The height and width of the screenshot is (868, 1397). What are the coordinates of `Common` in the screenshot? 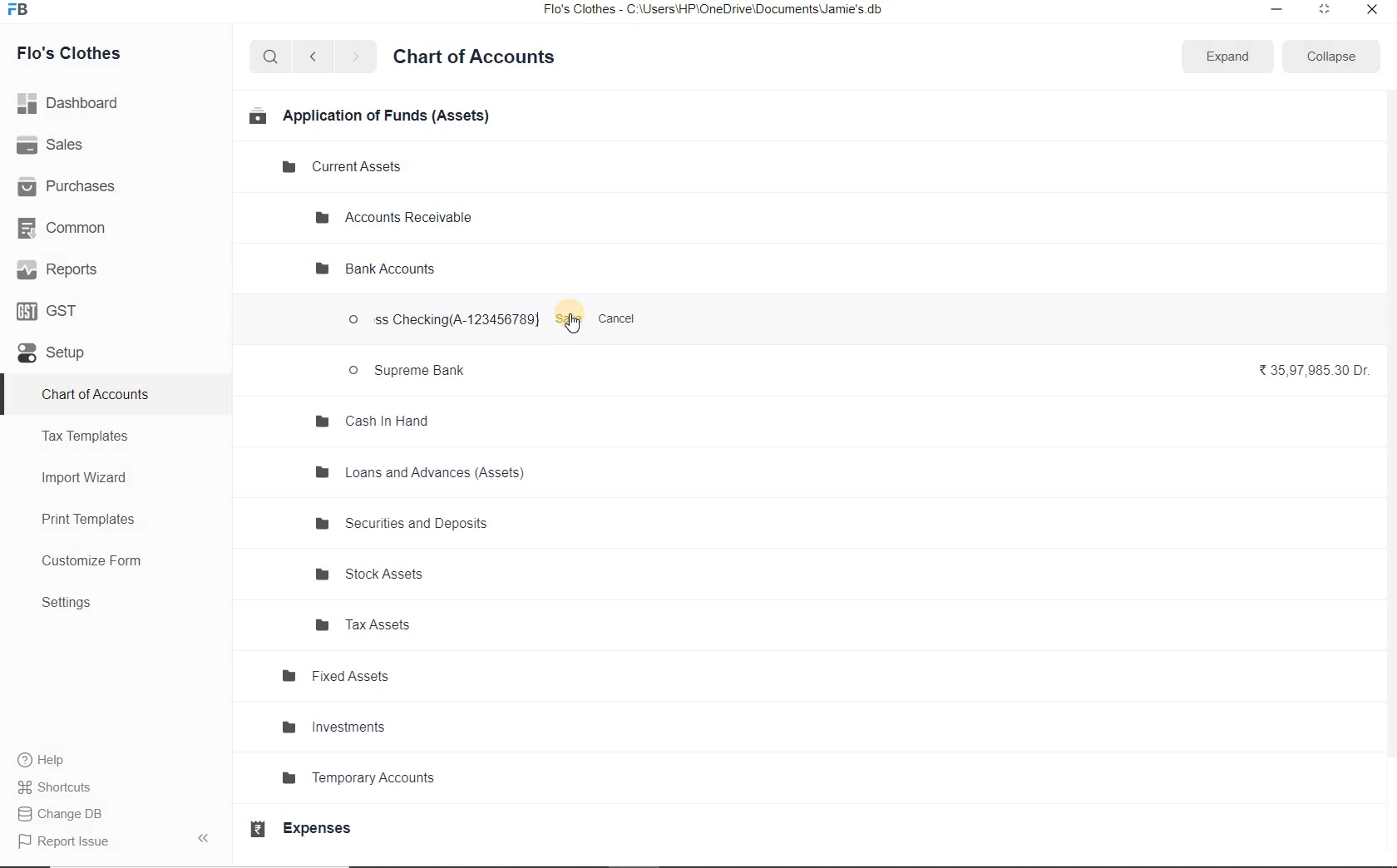 It's located at (65, 227).